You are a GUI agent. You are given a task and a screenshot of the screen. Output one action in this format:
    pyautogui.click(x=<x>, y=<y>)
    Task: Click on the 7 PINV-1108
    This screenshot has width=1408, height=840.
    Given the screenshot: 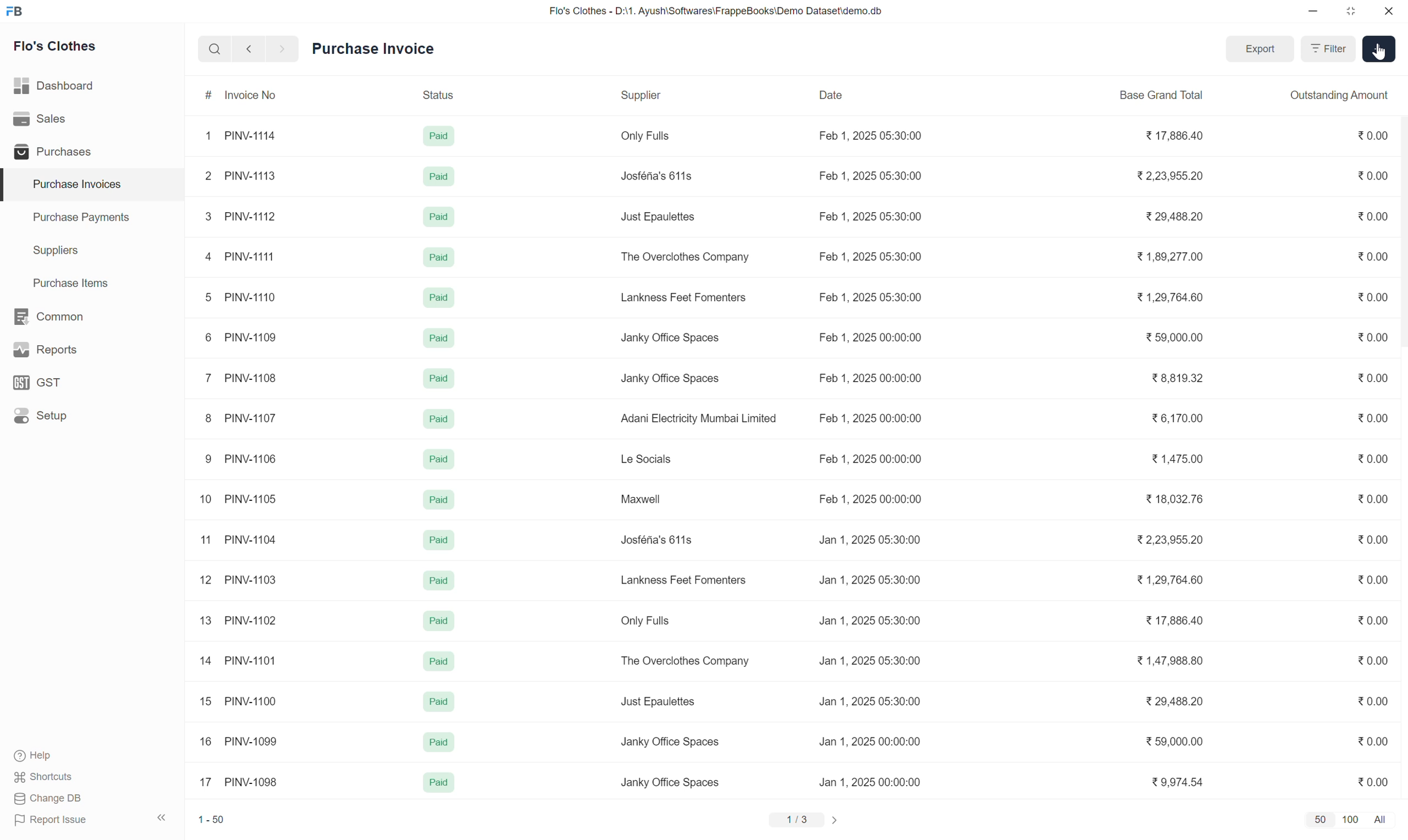 What is the action you would take?
    pyautogui.click(x=241, y=378)
    